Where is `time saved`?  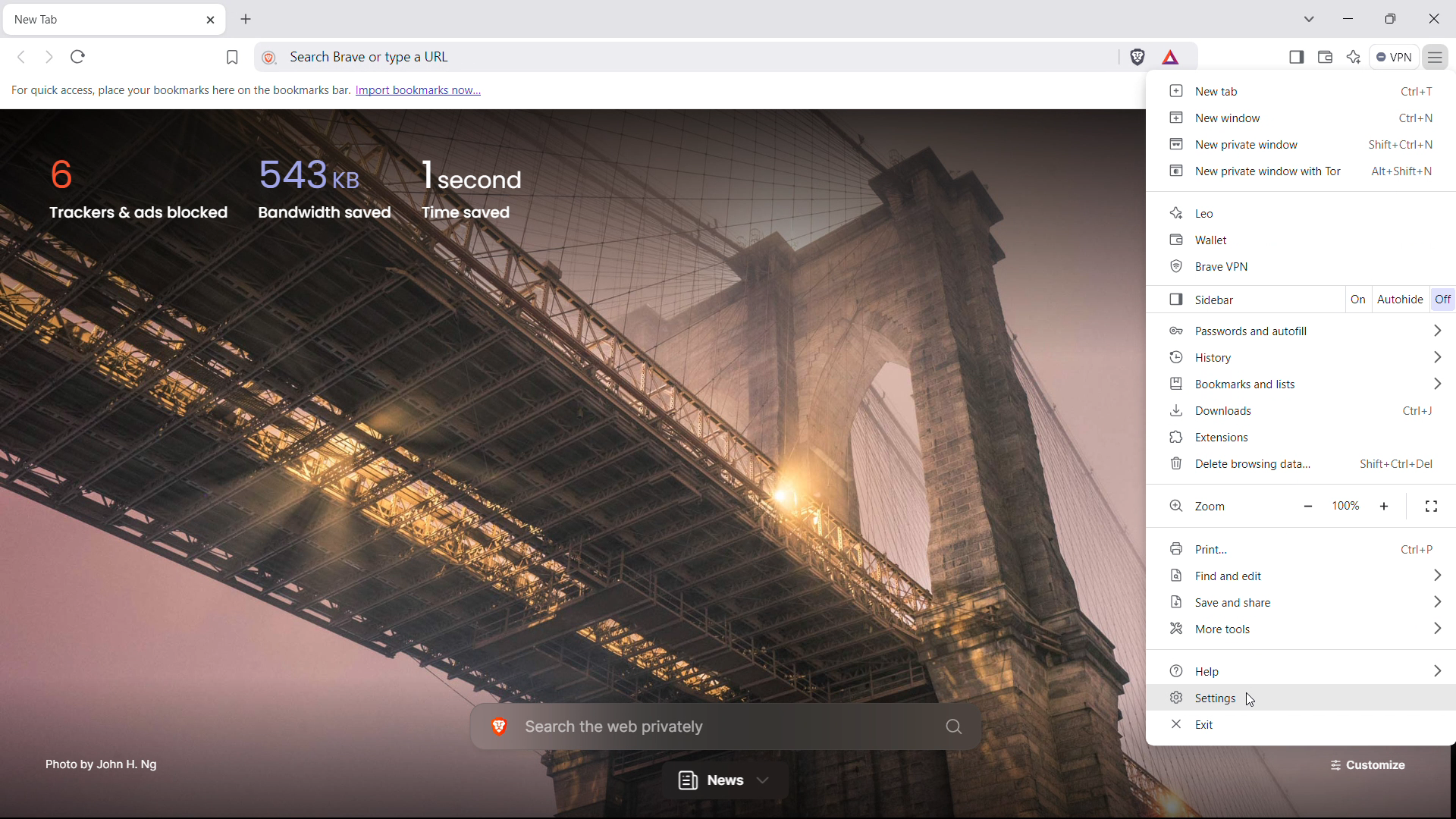 time saved is located at coordinates (474, 212).